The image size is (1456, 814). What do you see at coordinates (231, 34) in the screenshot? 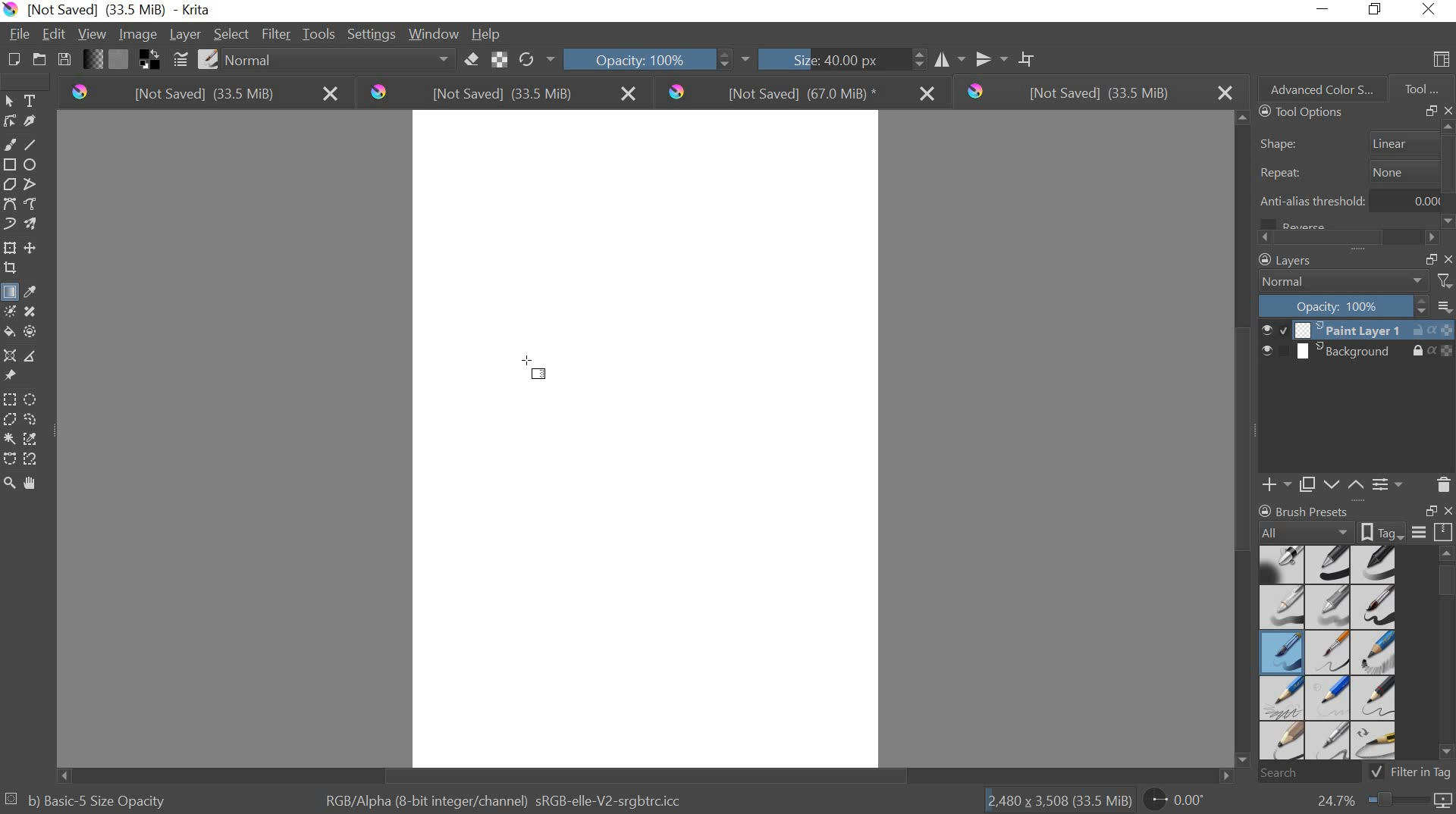
I see `SELECT` at bounding box center [231, 34].